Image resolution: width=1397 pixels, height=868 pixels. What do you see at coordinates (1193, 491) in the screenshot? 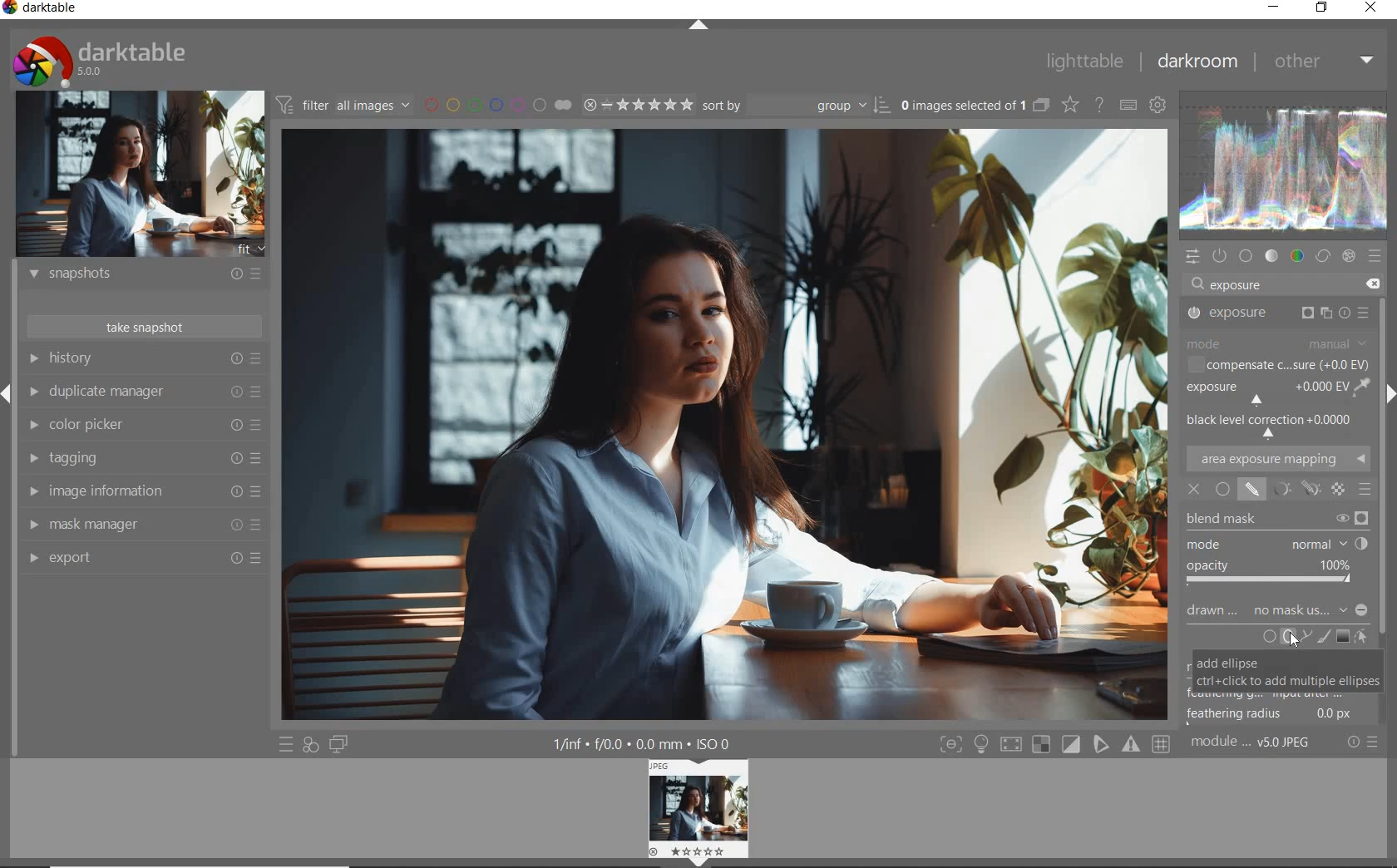
I see `OFF` at bounding box center [1193, 491].